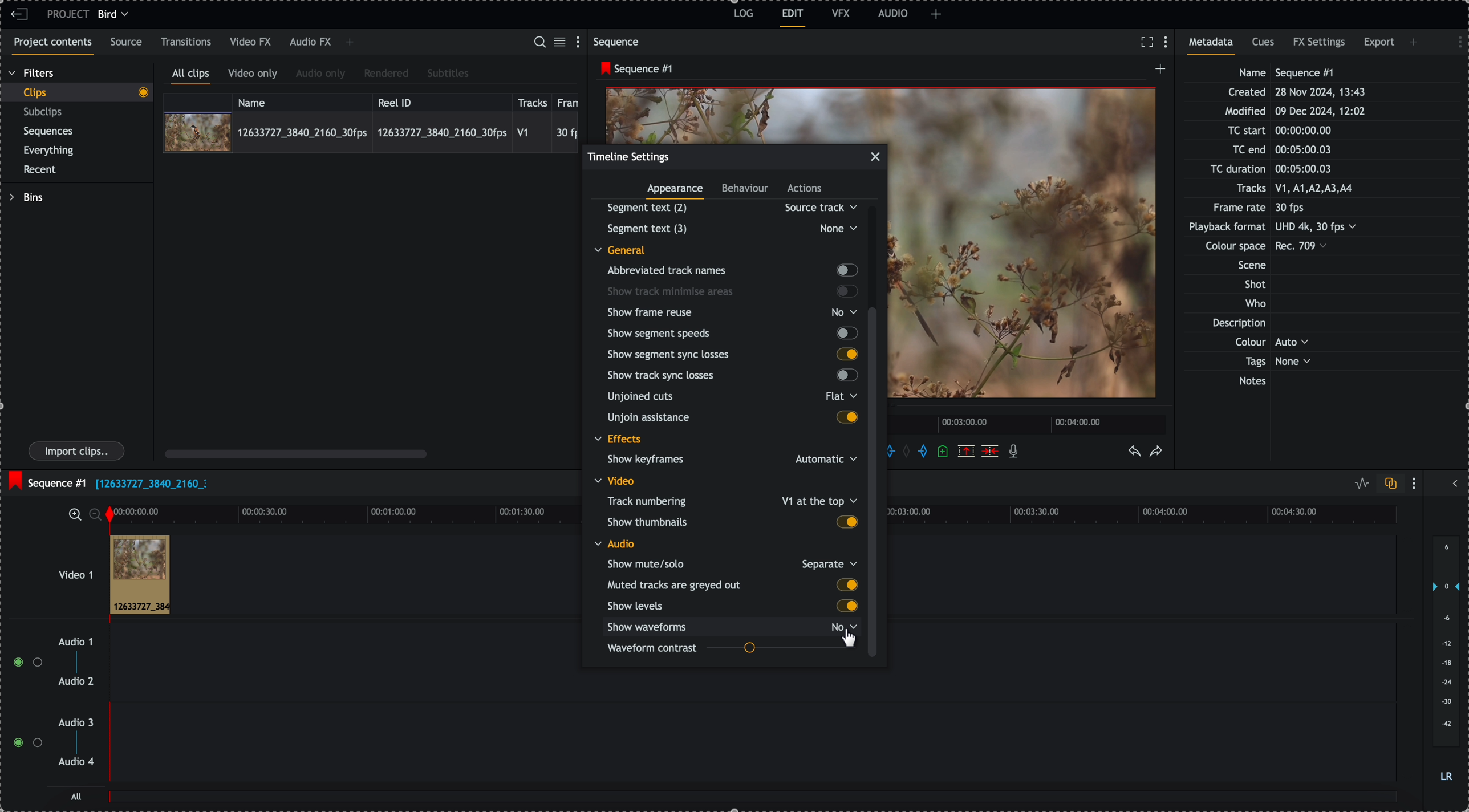 This screenshot has width=1469, height=812. What do you see at coordinates (1215, 46) in the screenshot?
I see `metadata` at bounding box center [1215, 46].